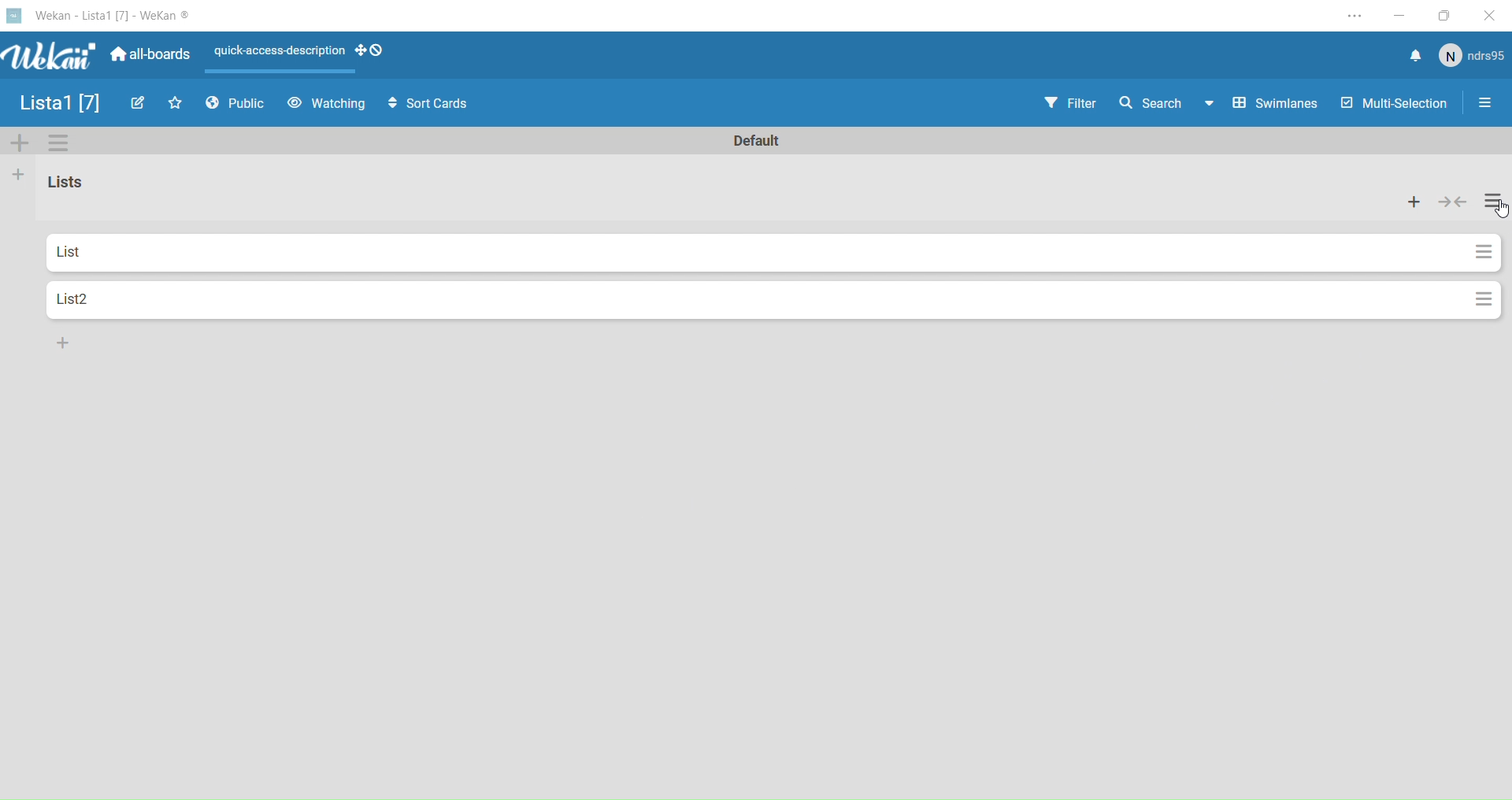 The image size is (1512, 800). I want to click on Sort Cards, so click(435, 108).